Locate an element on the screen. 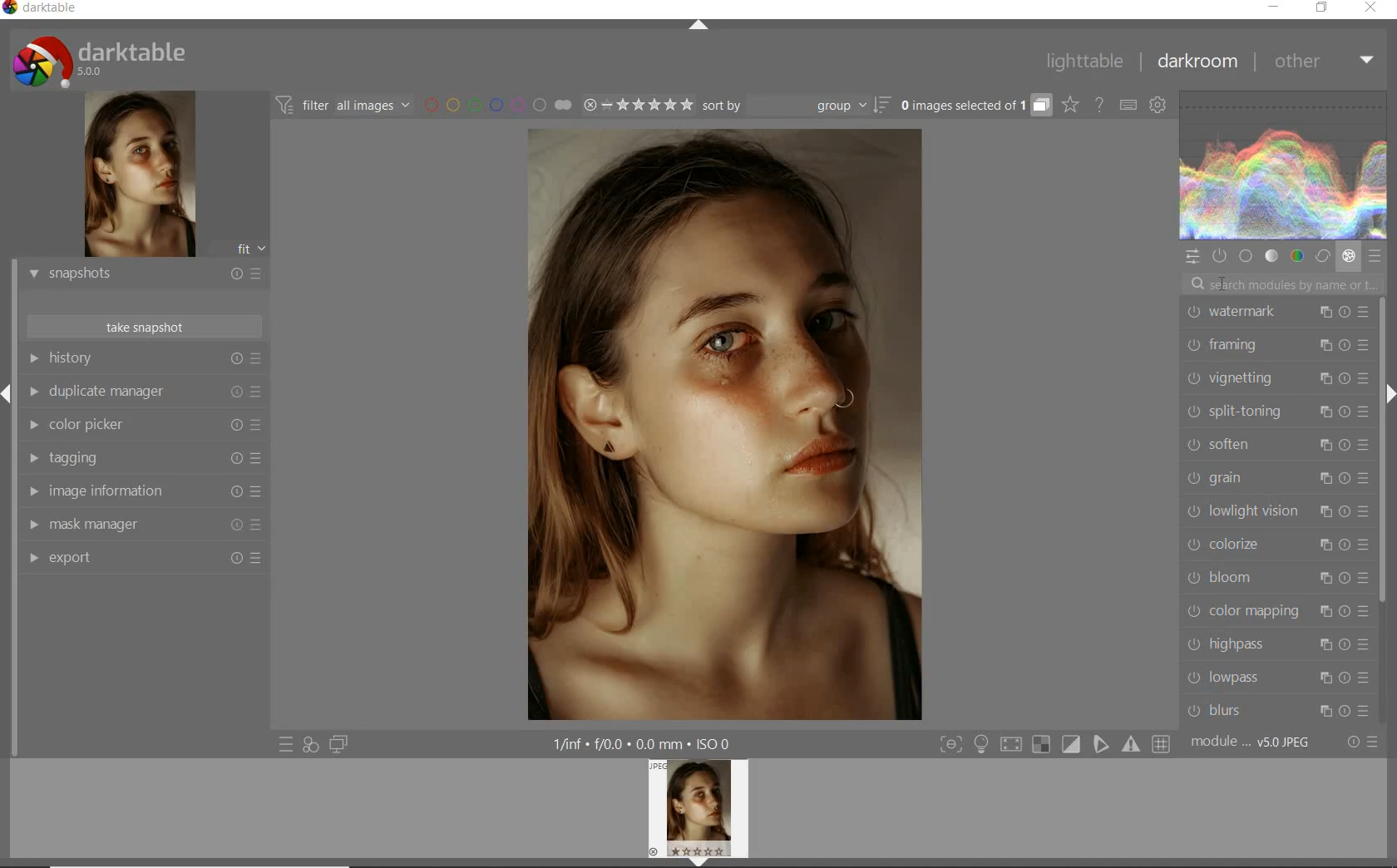 This screenshot has width=1397, height=868. reset or presets & preferences is located at coordinates (1363, 744).